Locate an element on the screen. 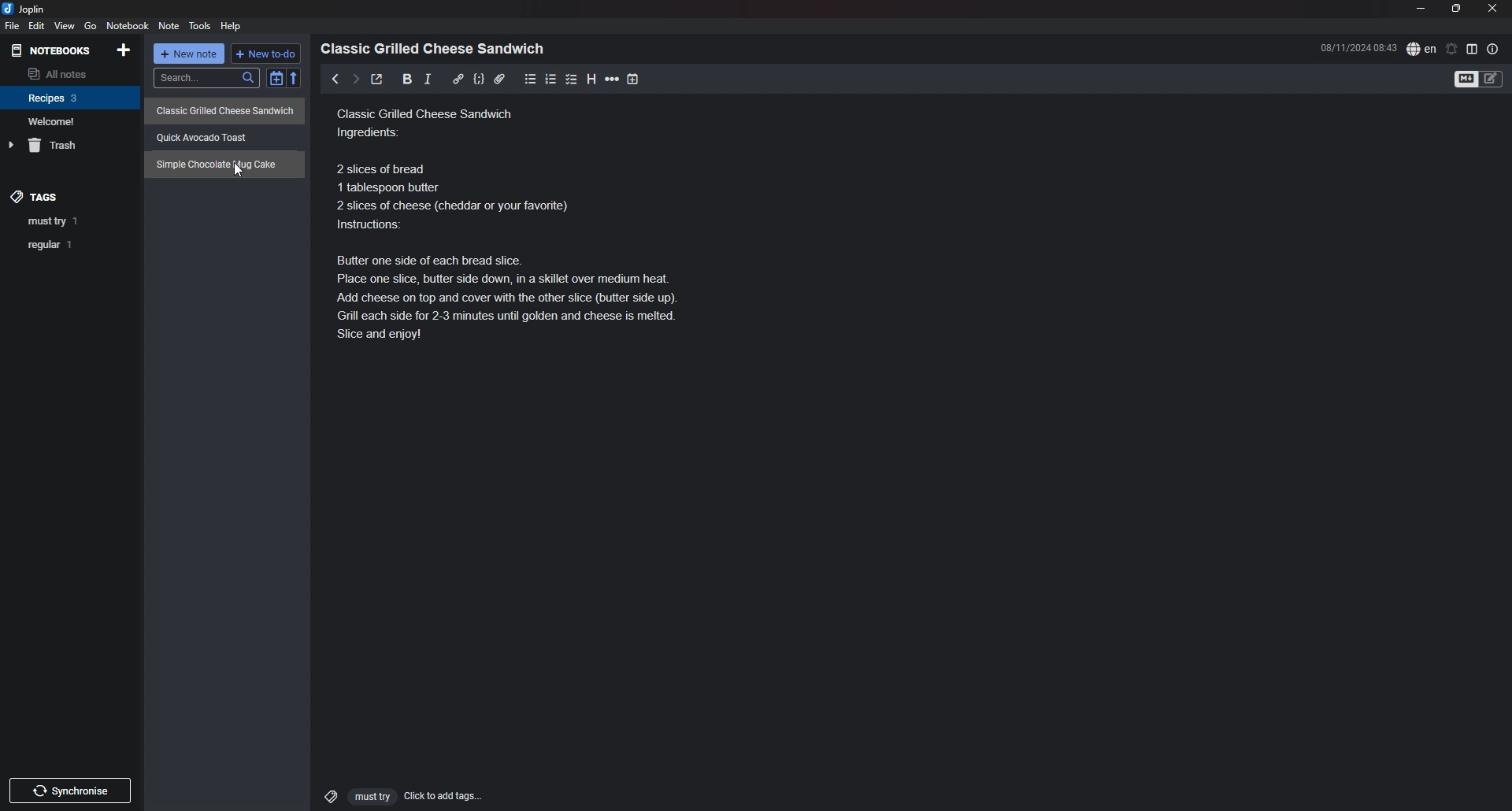  set alarm is located at coordinates (1452, 48).